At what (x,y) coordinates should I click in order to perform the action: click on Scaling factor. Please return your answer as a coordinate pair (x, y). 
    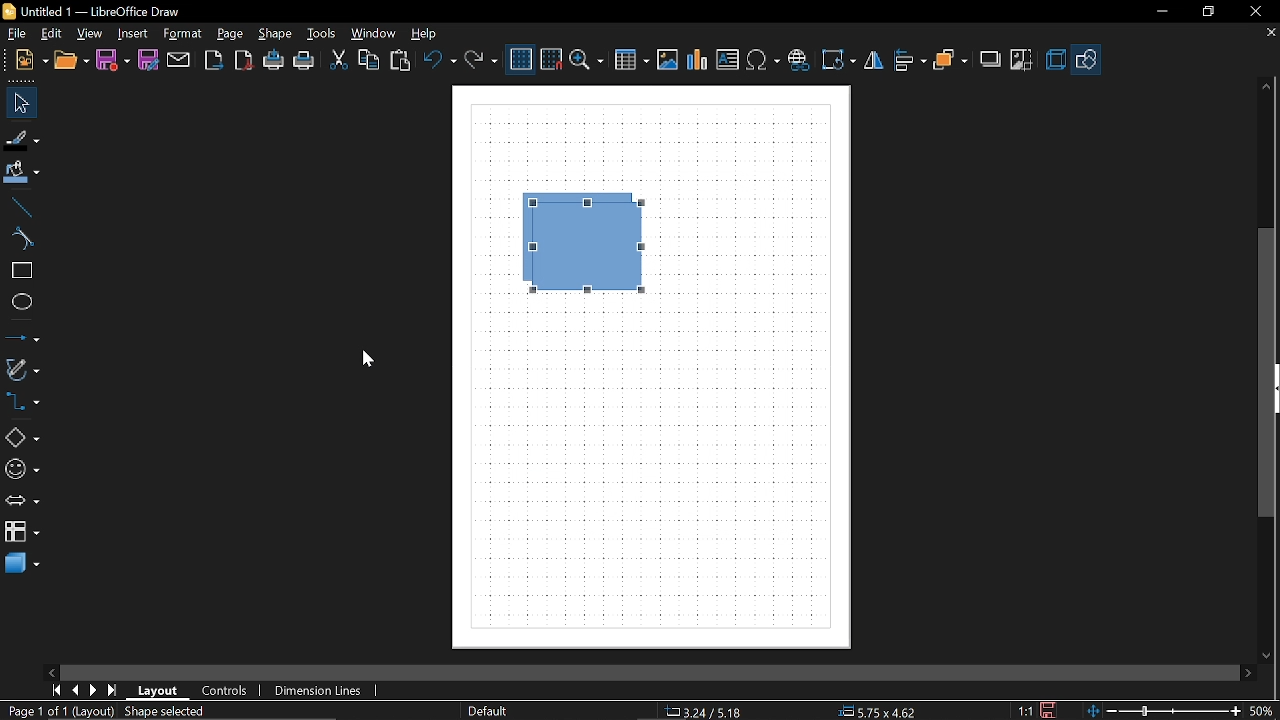
    Looking at the image, I should click on (1023, 711).